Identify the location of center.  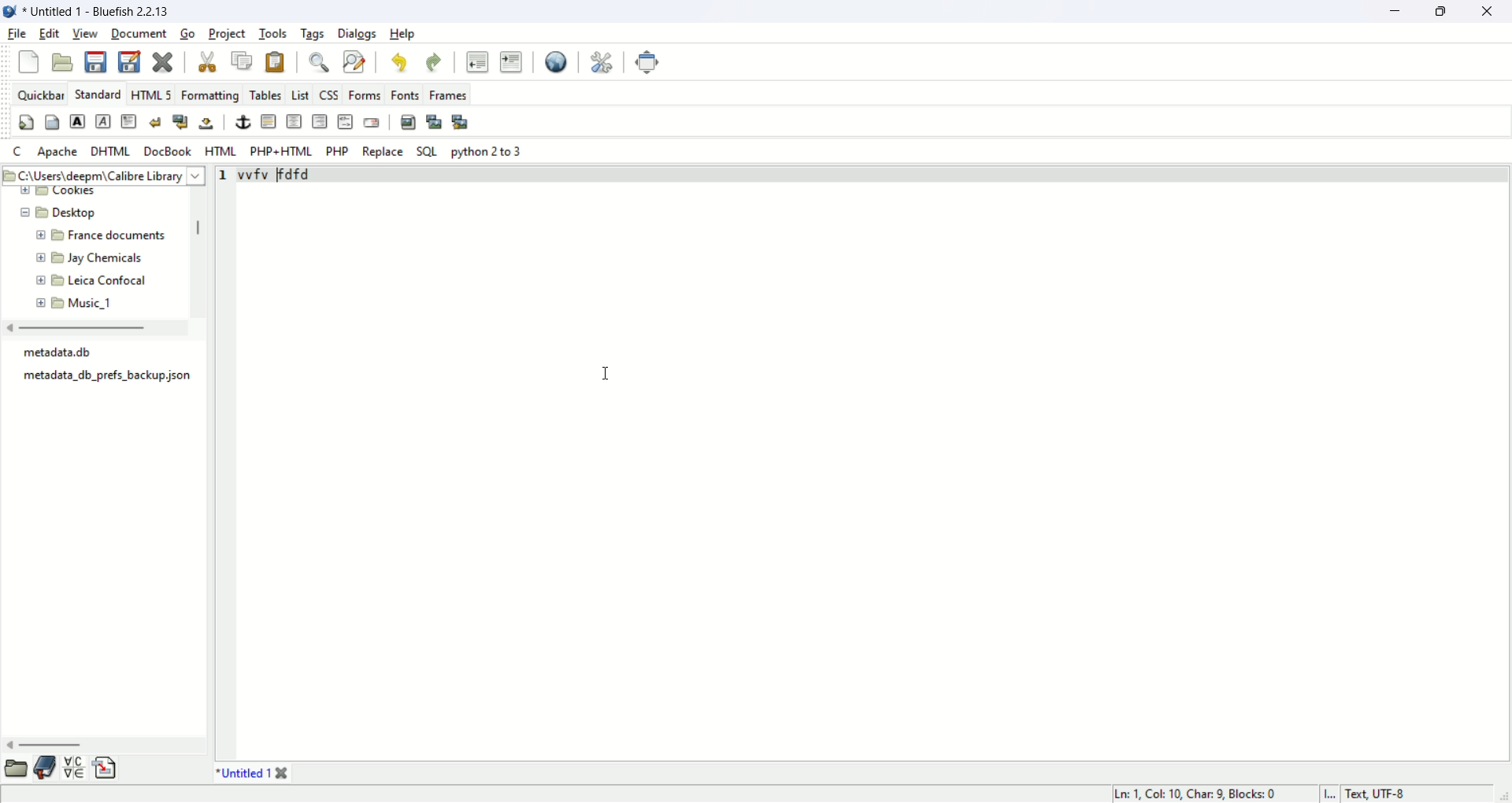
(295, 121).